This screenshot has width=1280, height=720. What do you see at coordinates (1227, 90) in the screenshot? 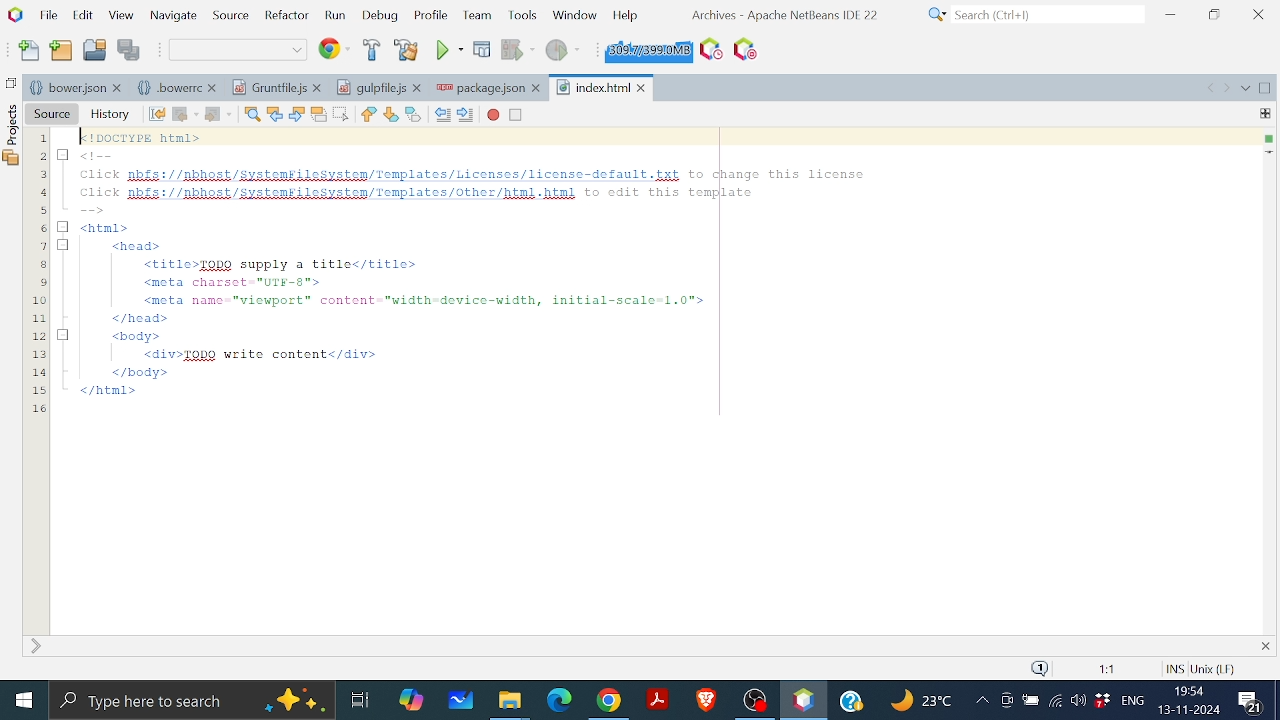
I see `scroll documents right` at bounding box center [1227, 90].